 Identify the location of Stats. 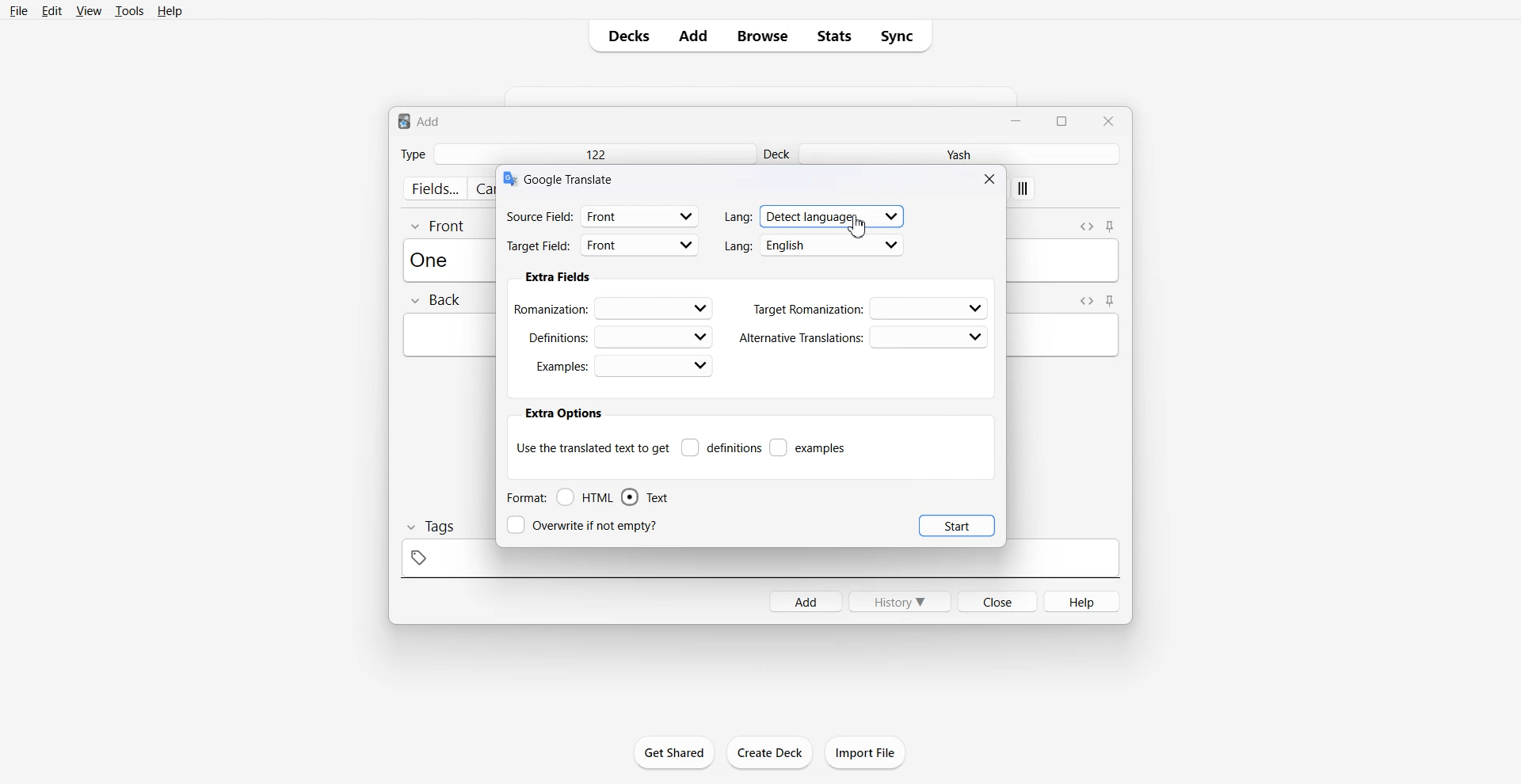
(833, 36).